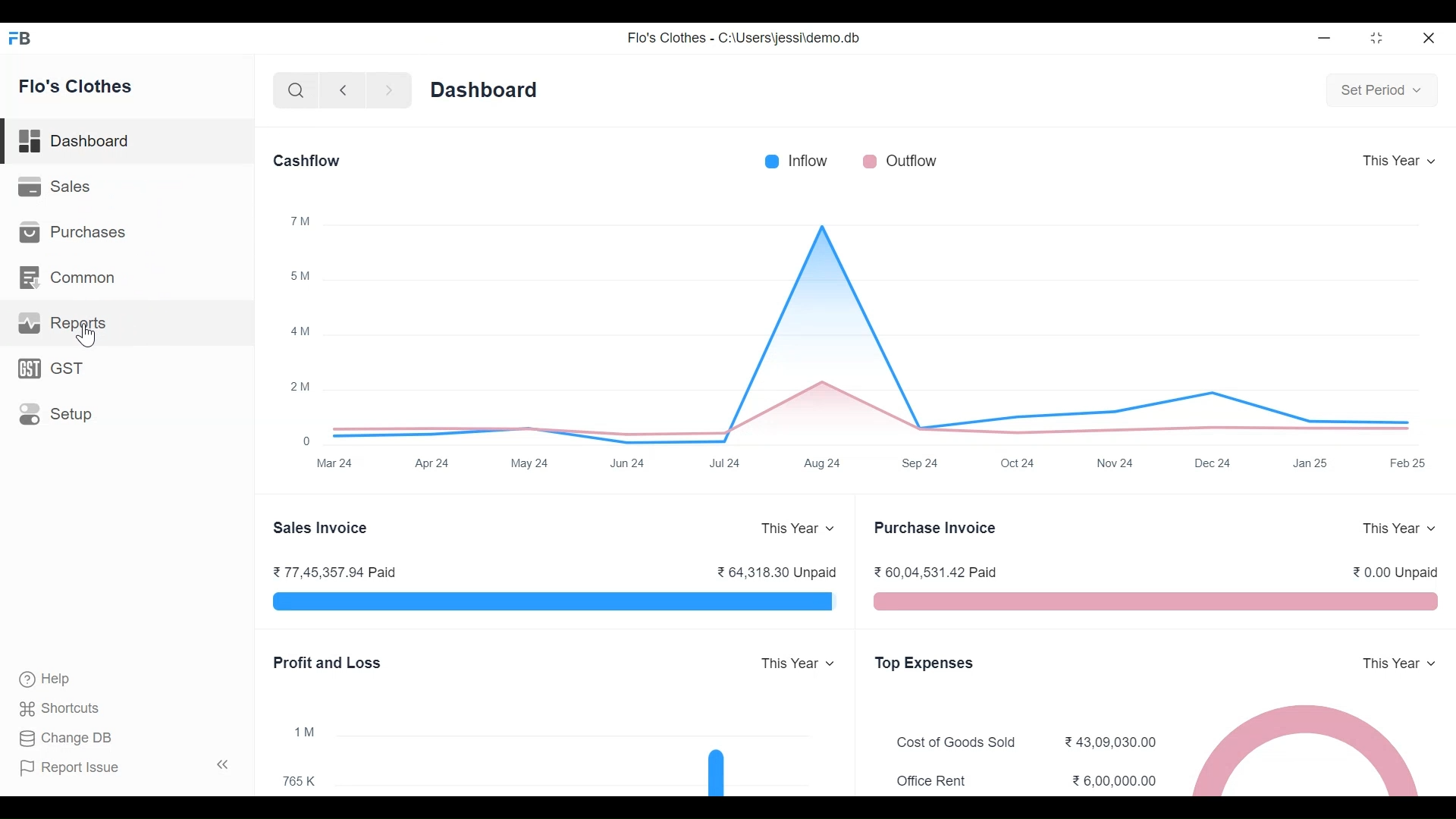  Describe the element at coordinates (549, 601) in the screenshot. I see `Visual representation of Sales Invoice paid and unpaid yearly ` at that location.